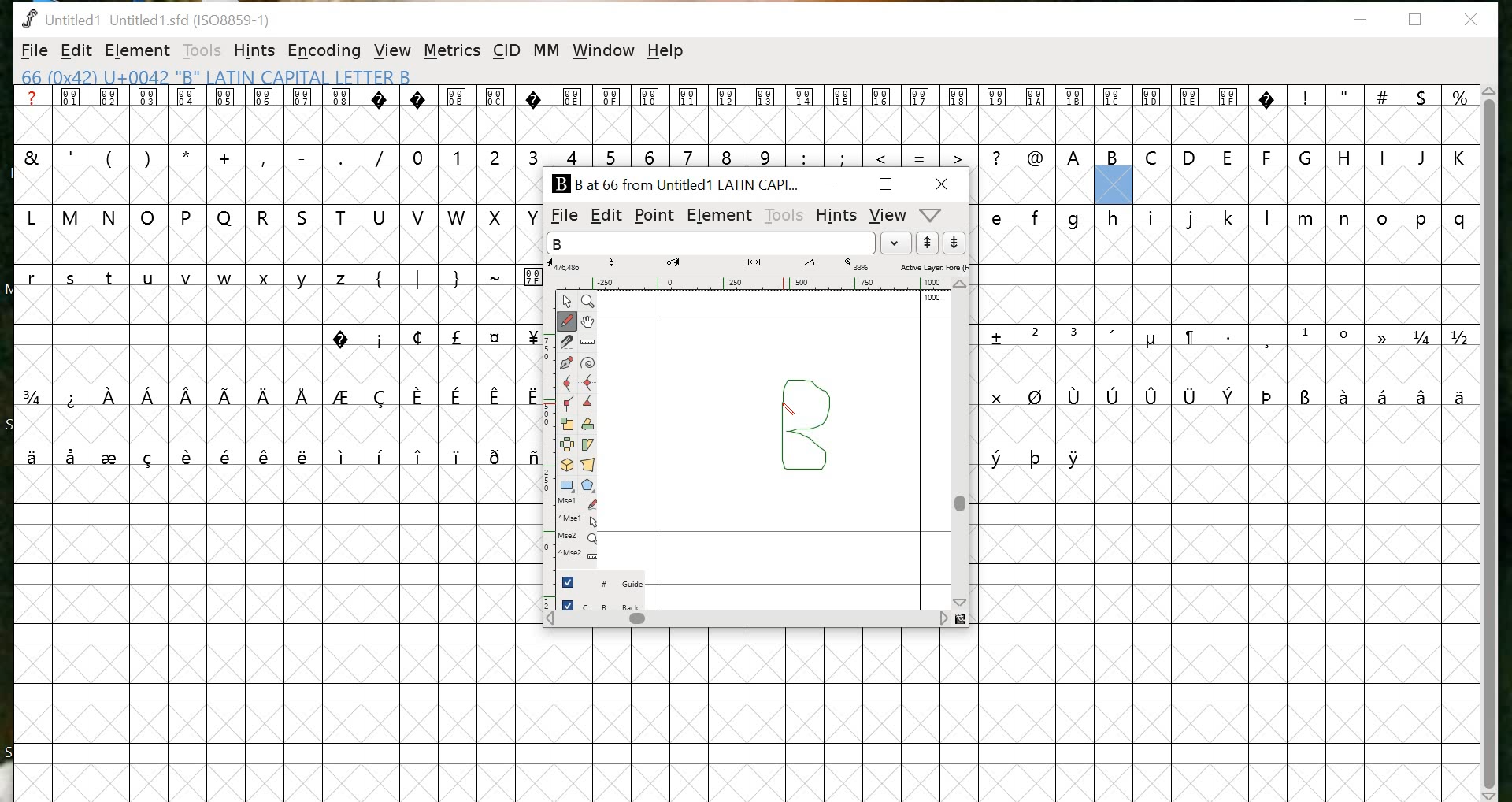 The height and width of the screenshot is (802, 1512). What do you see at coordinates (394, 51) in the screenshot?
I see `VIEW` at bounding box center [394, 51].